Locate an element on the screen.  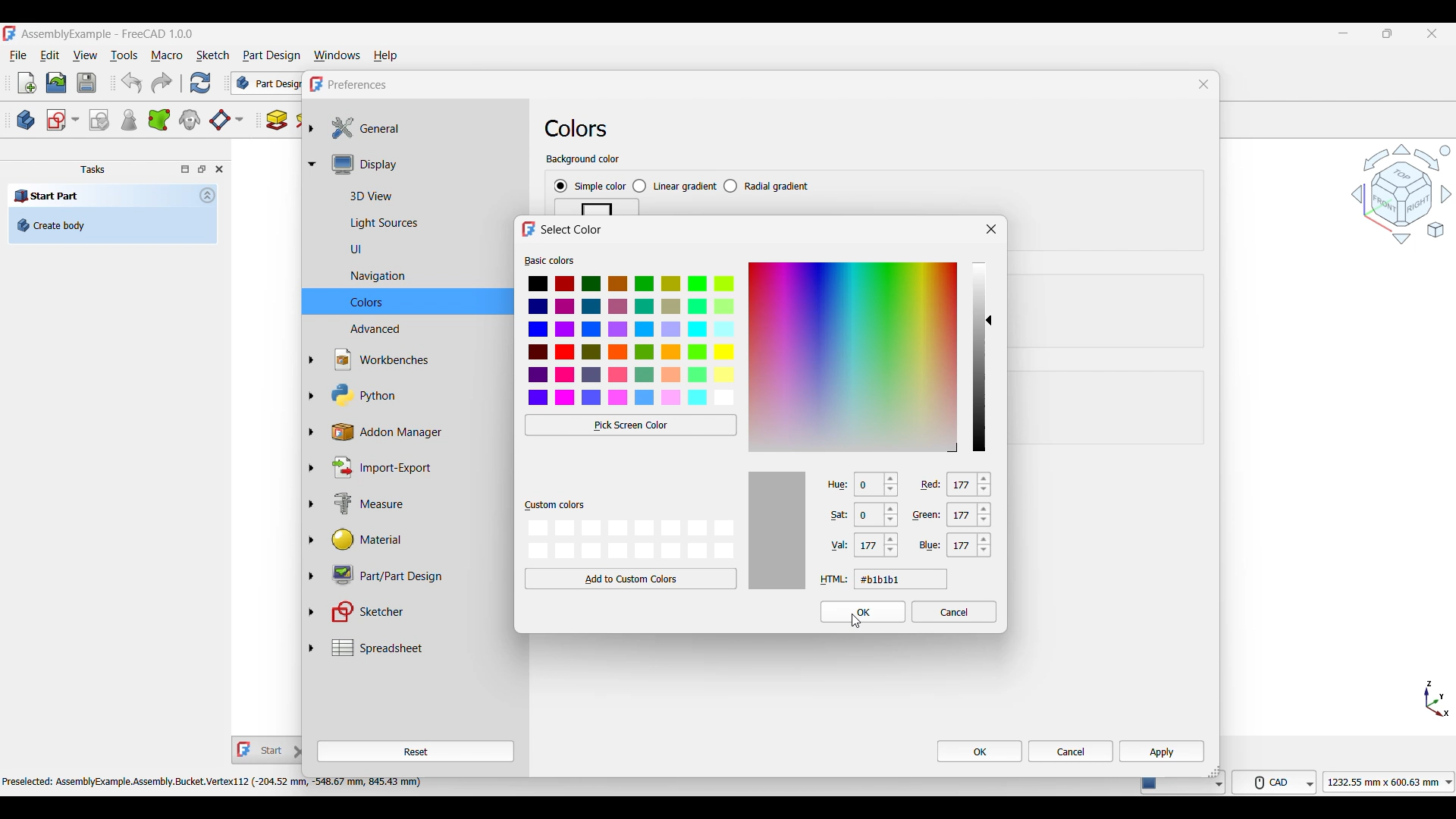
Validate sketch is located at coordinates (99, 121).